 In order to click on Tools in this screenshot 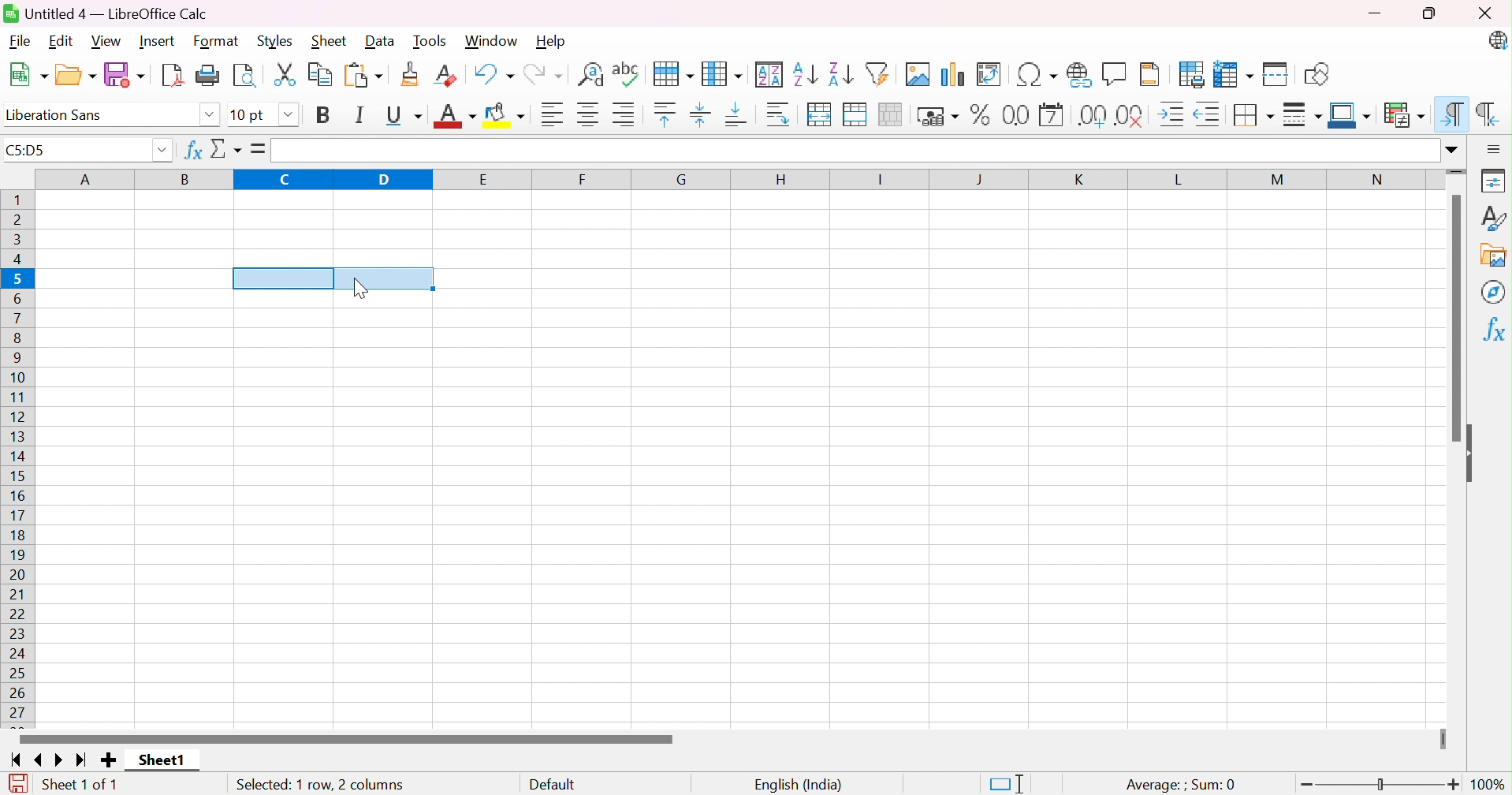, I will do `click(431, 40)`.